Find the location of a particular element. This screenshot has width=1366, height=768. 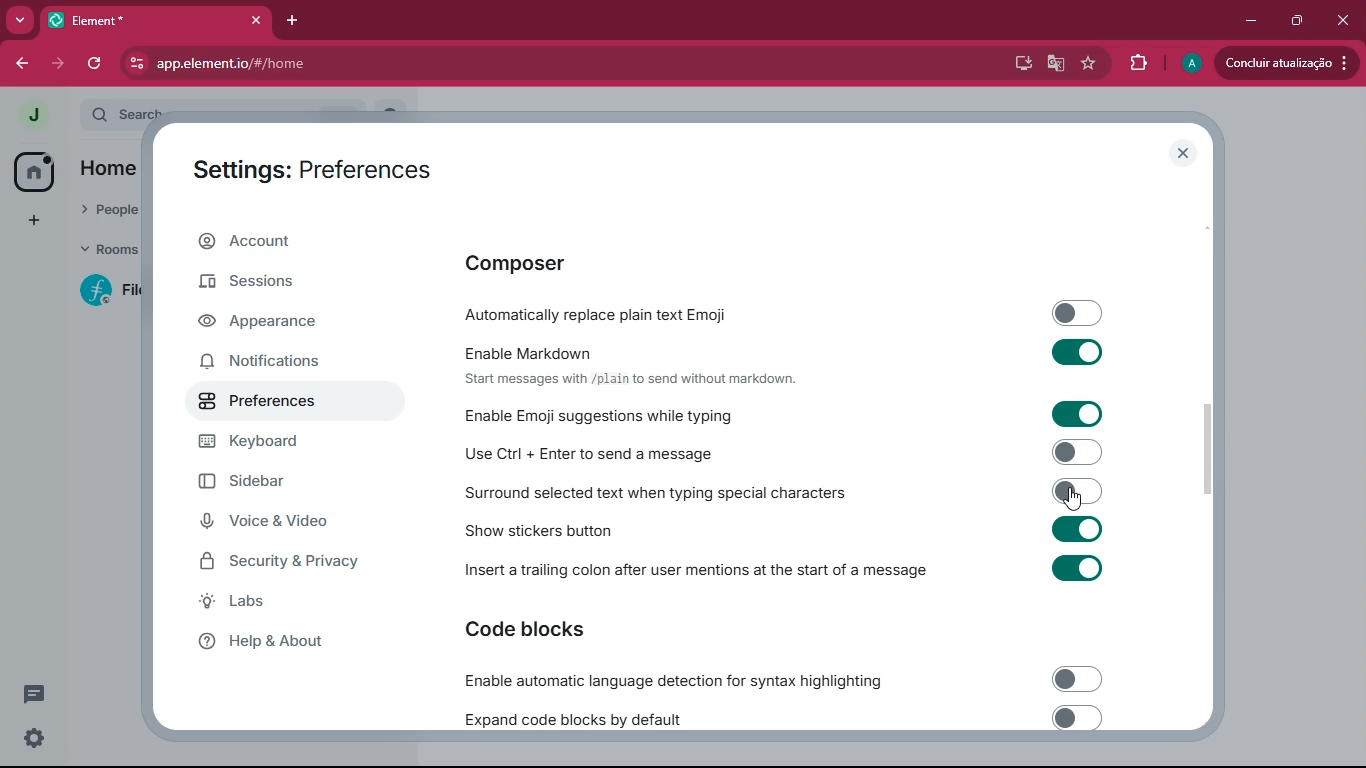

extensions is located at coordinates (1137, 64).